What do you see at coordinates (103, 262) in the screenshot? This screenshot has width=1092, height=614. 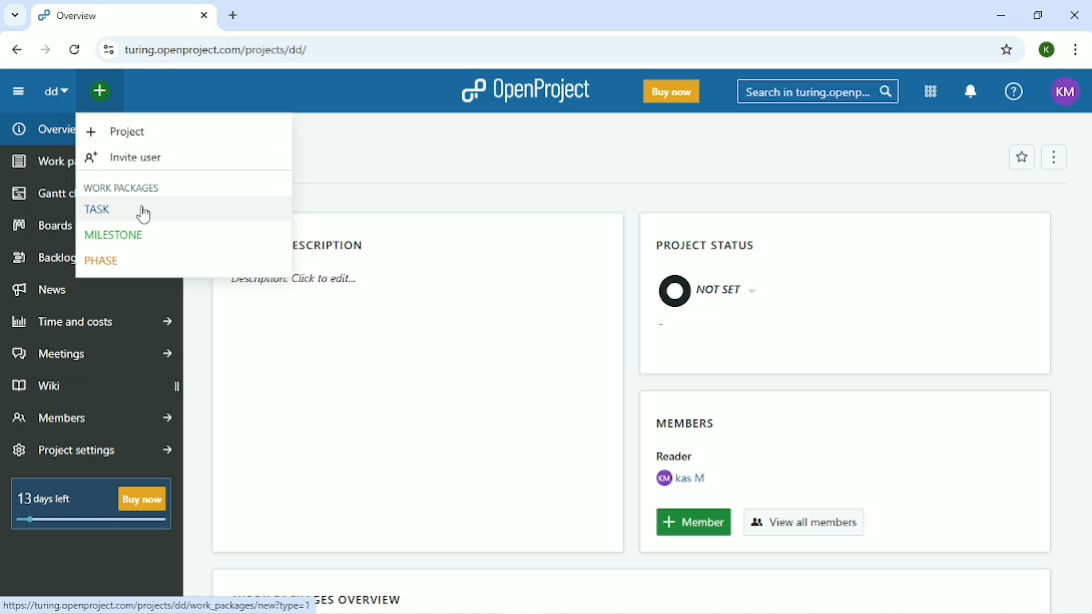 I see `Phase` at bounding box center [103, 262].